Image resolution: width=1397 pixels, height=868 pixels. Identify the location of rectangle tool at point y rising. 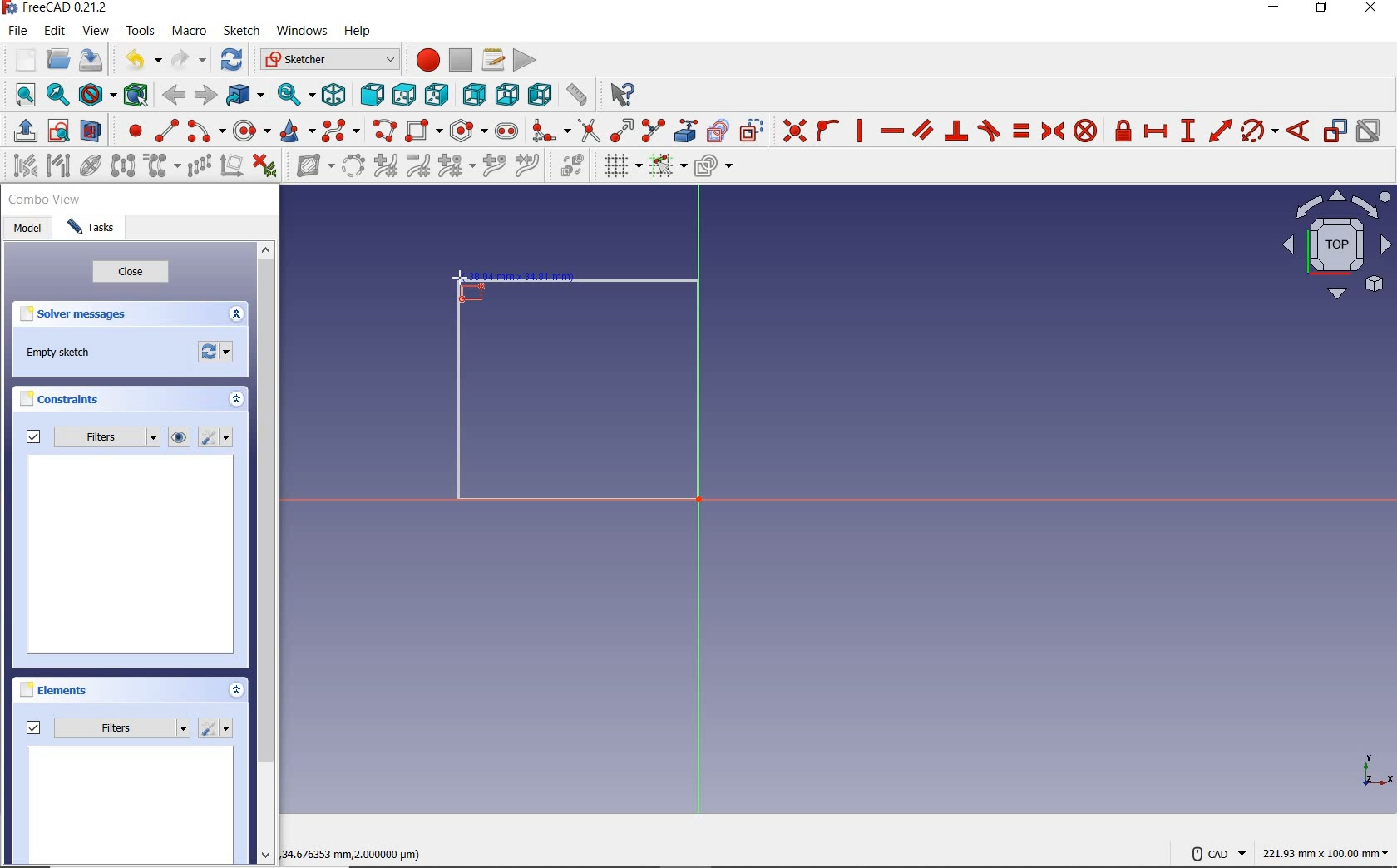
(468, 286).